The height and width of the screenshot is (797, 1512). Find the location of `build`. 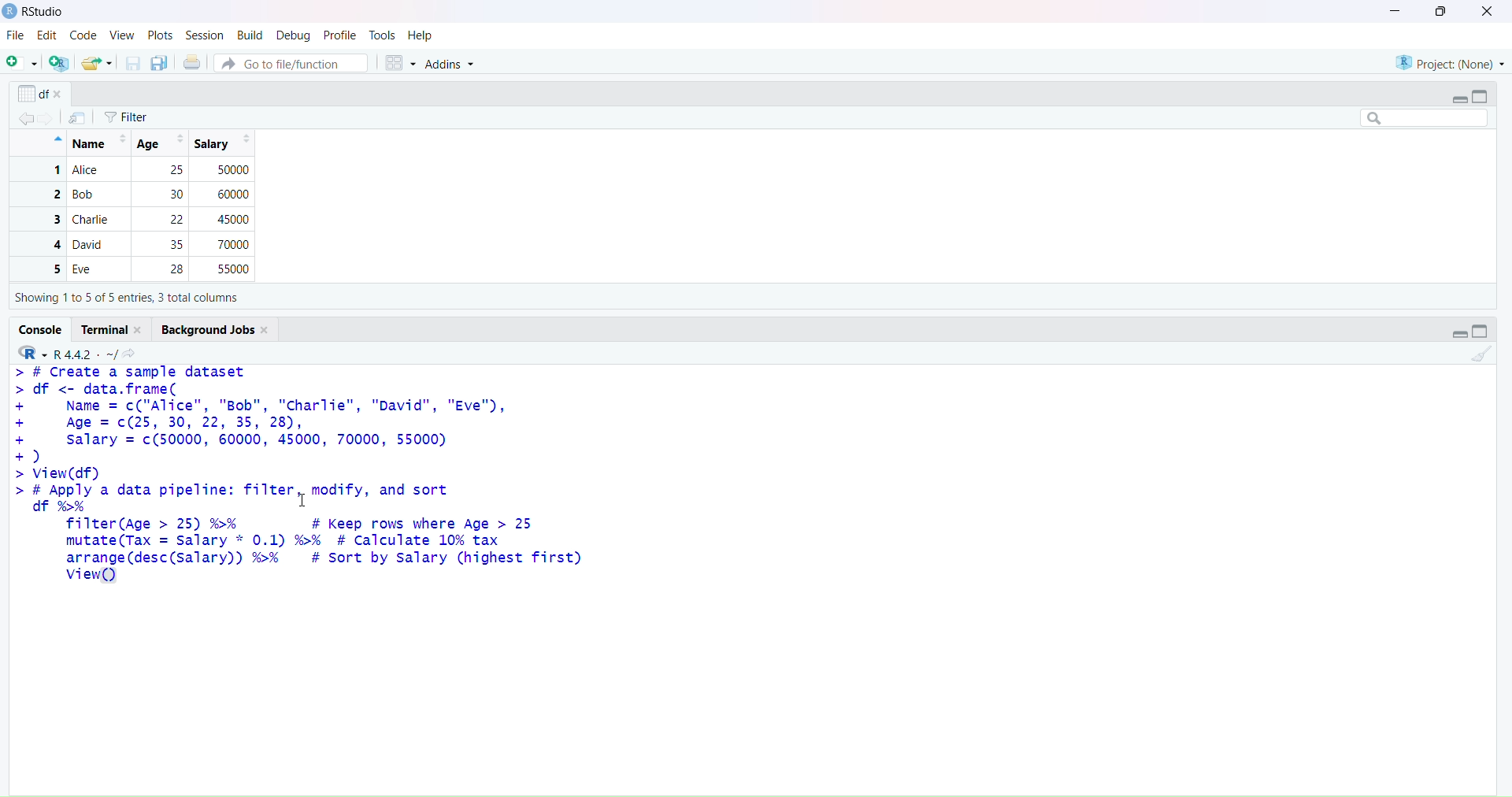

build is located at coordinates (251, 35).